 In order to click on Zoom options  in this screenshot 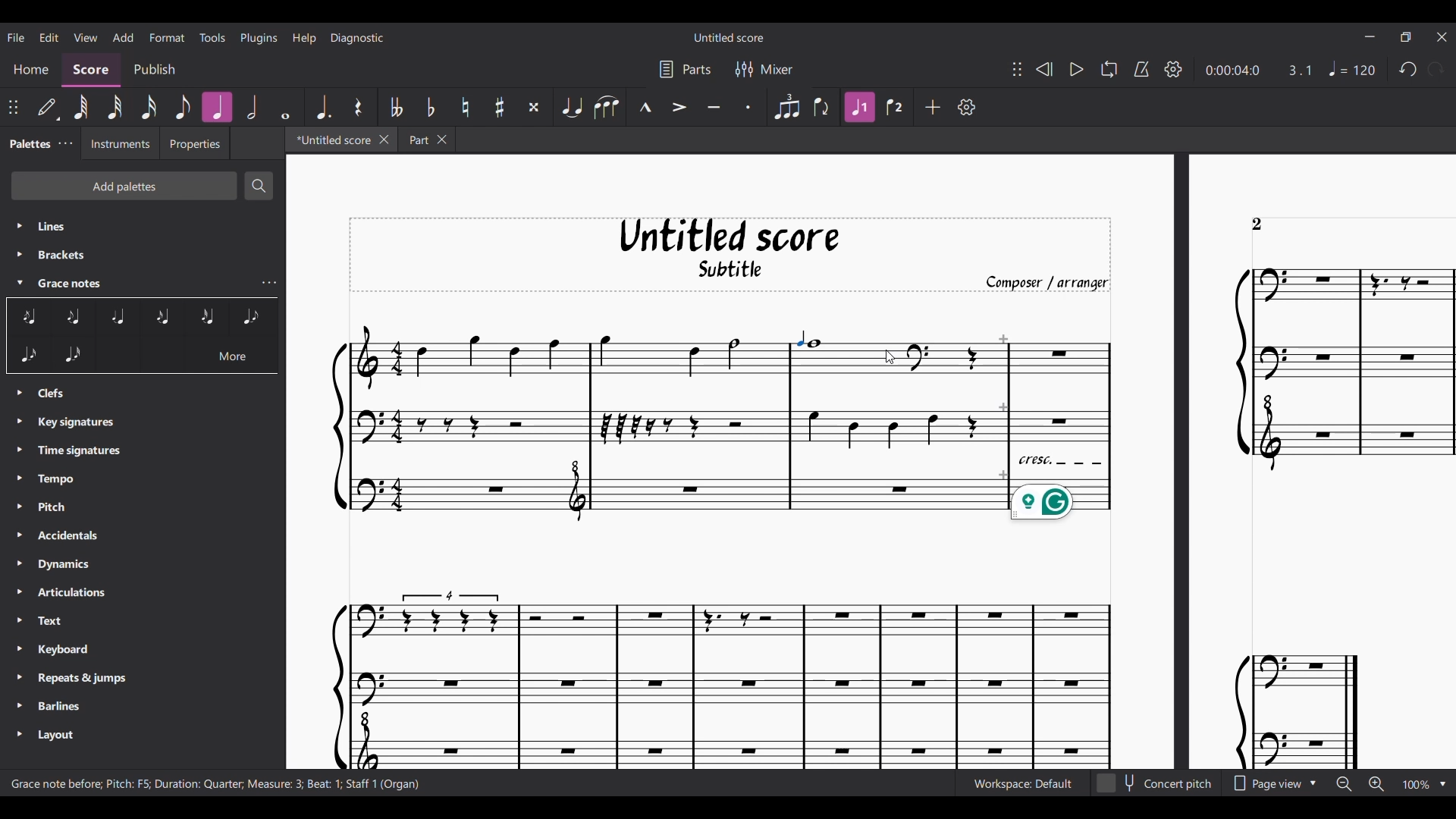, I will do `click(1443, 784)`.